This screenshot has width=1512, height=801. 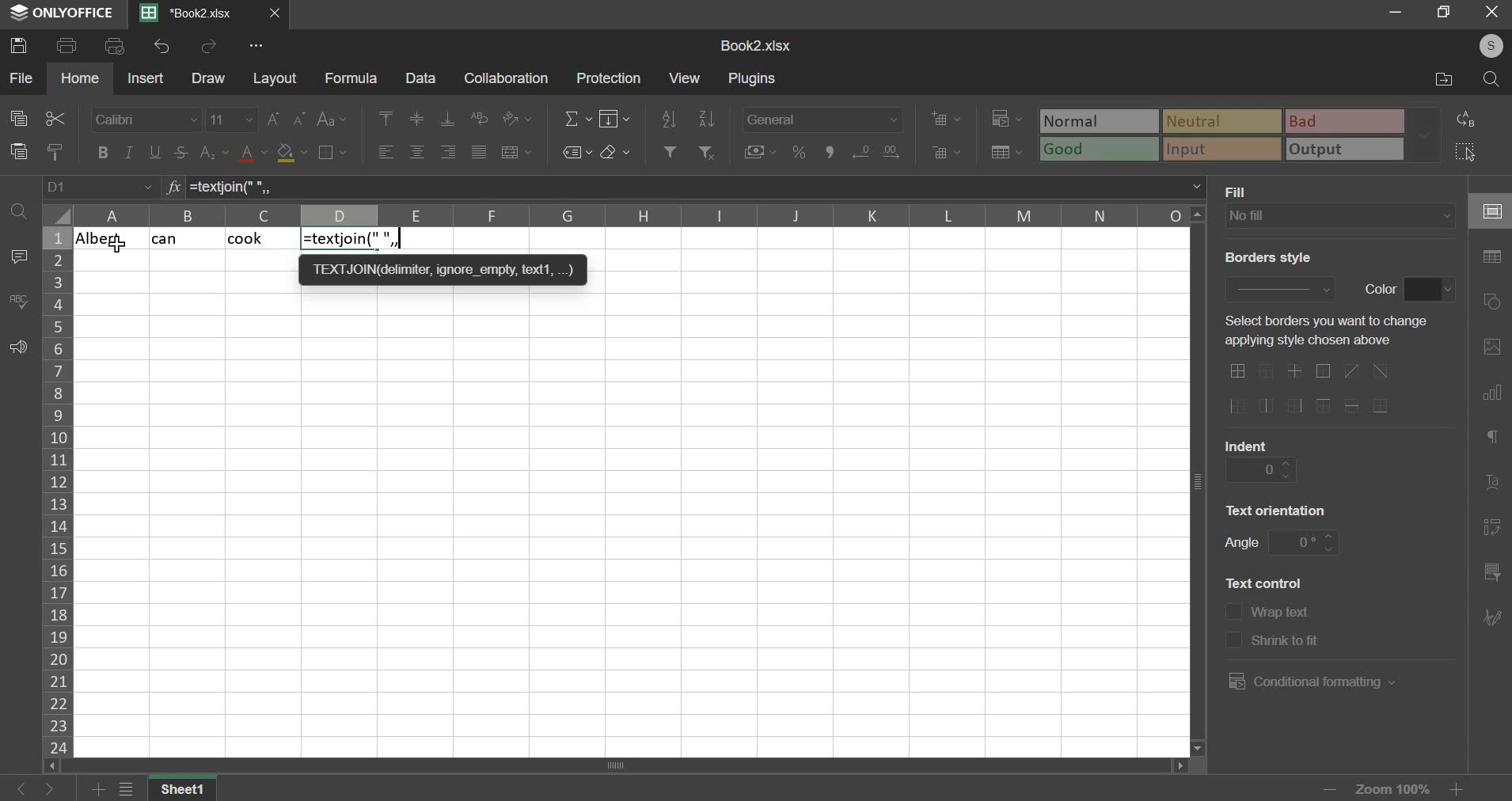 I want to click on find, so click(x=17, y=209).